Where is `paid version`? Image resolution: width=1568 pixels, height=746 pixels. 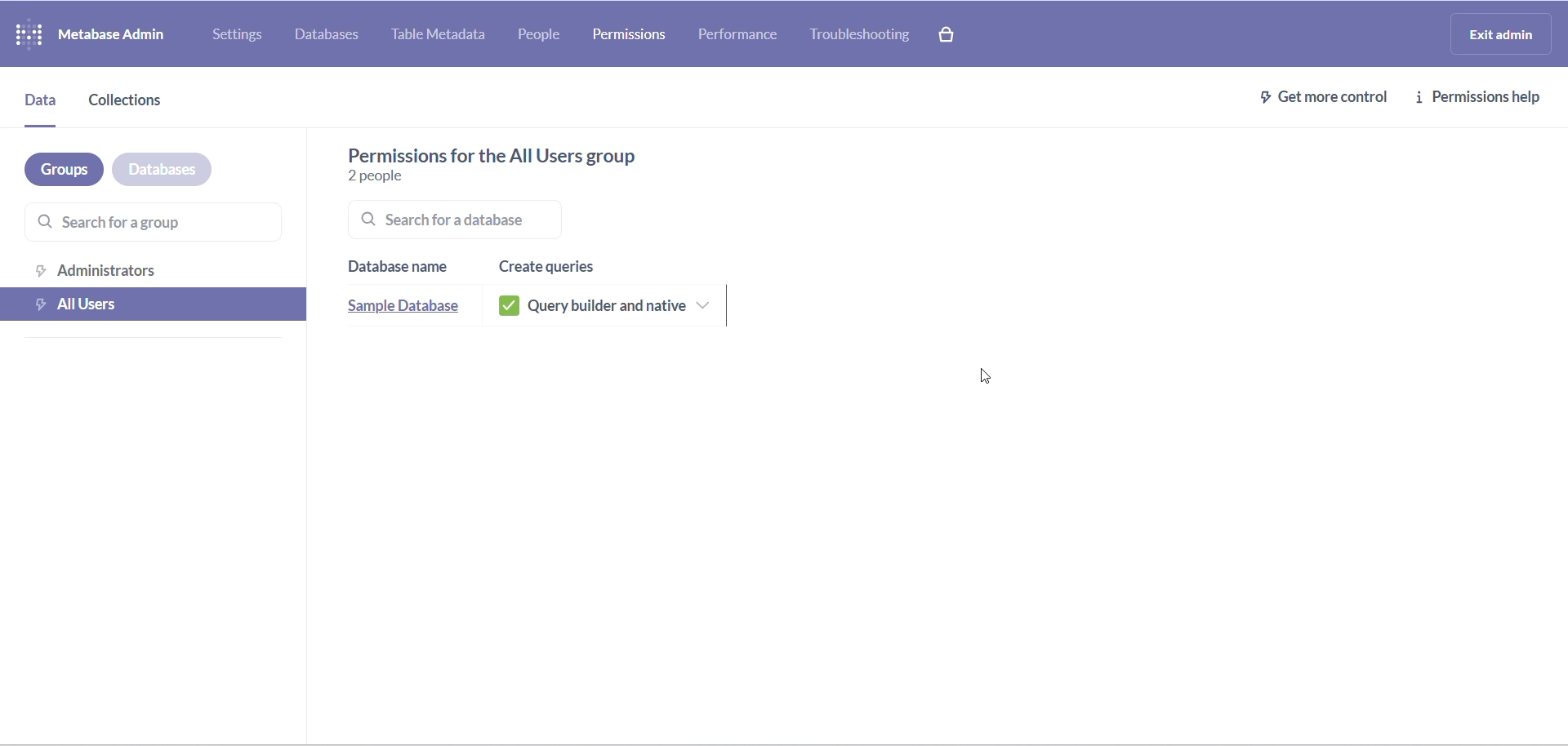 paid version is located at coordinates (957, 34).